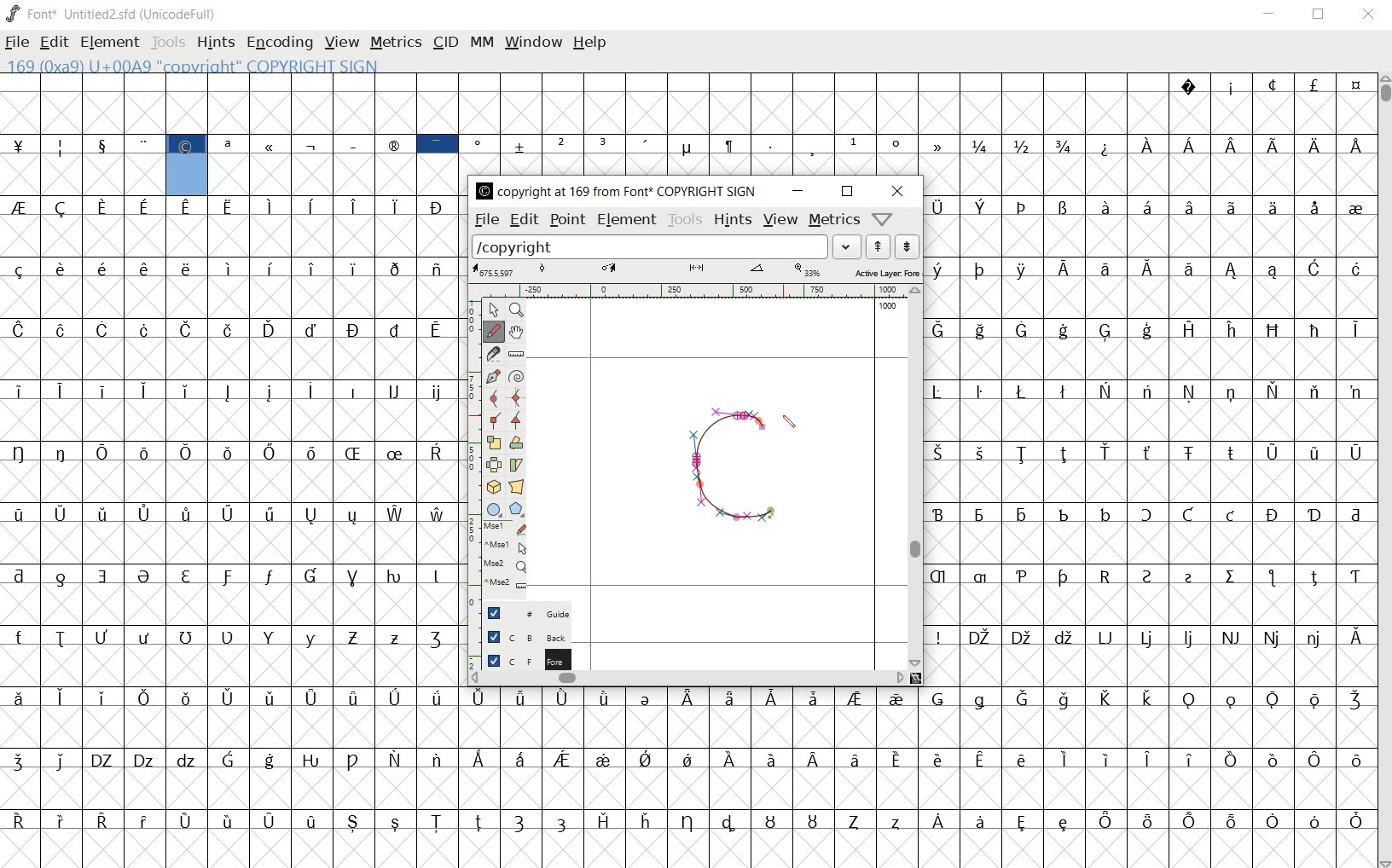 The image size is (1392, 868). What do you see at coordinates (687, 677) in the screenshot?
I see `scrollbar` at bounding box center [687, 677].